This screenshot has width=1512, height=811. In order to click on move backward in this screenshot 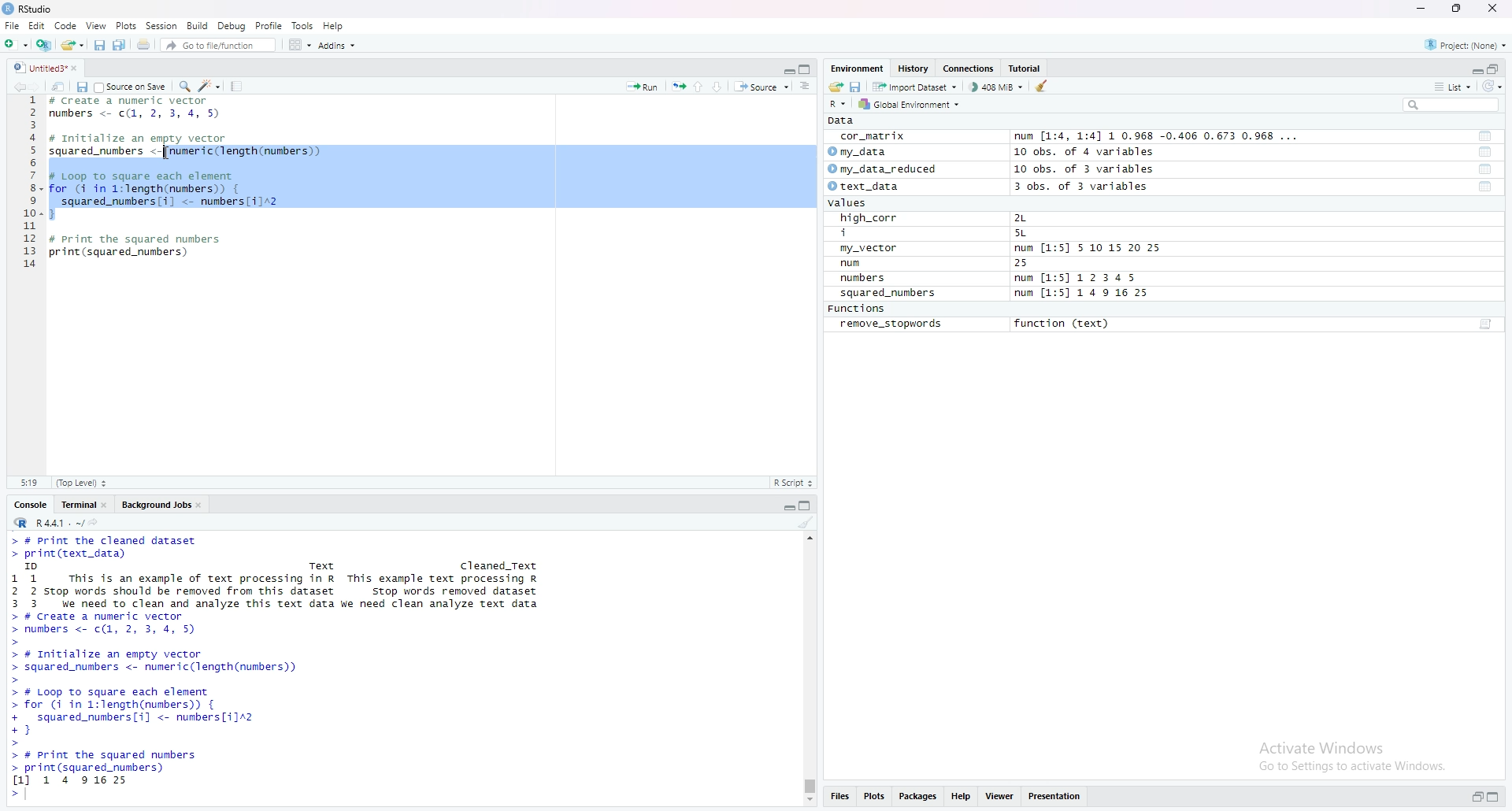, I will do `click(19, 85)`.